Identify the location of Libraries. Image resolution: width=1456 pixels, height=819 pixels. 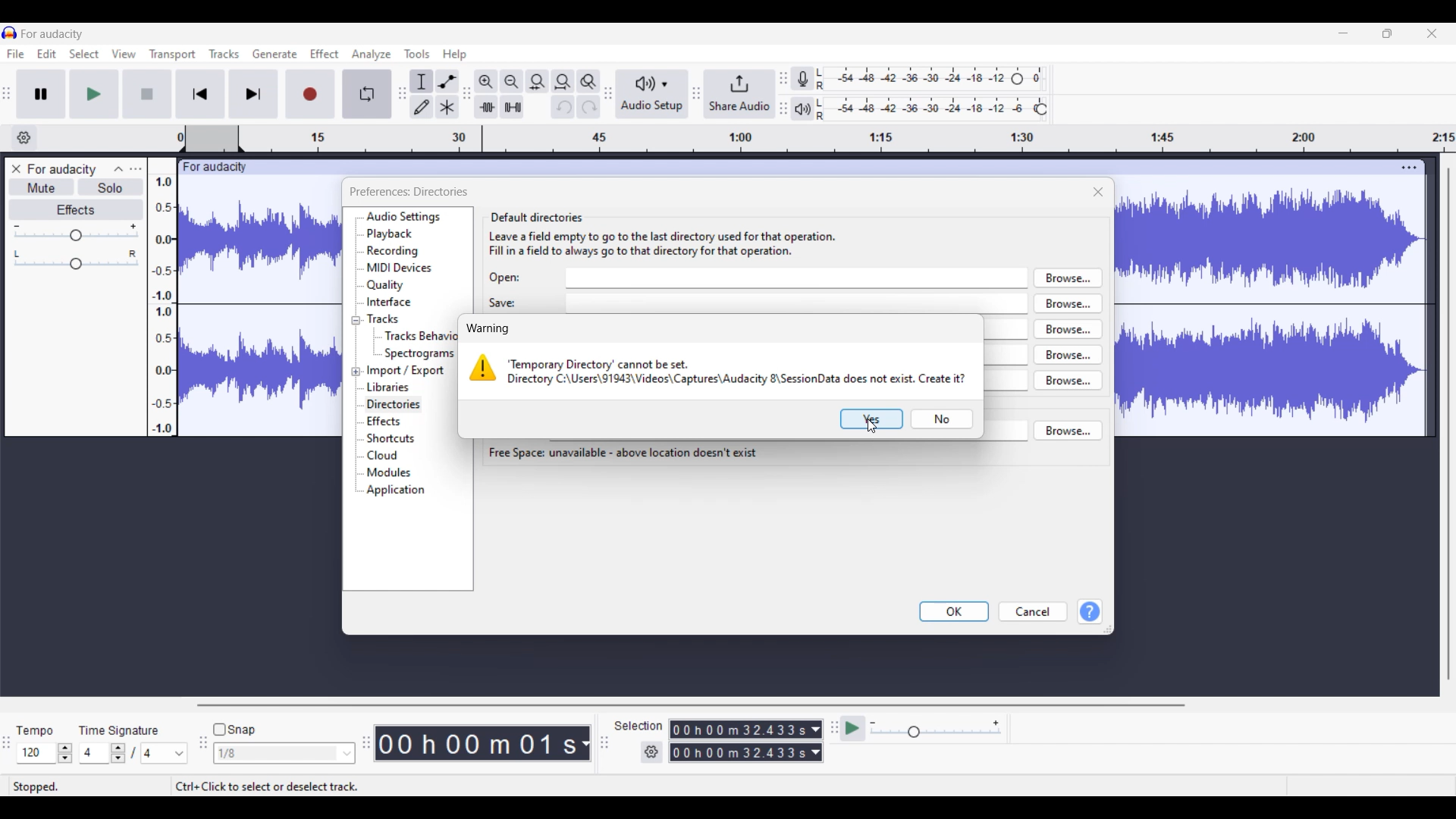
(389, 387).